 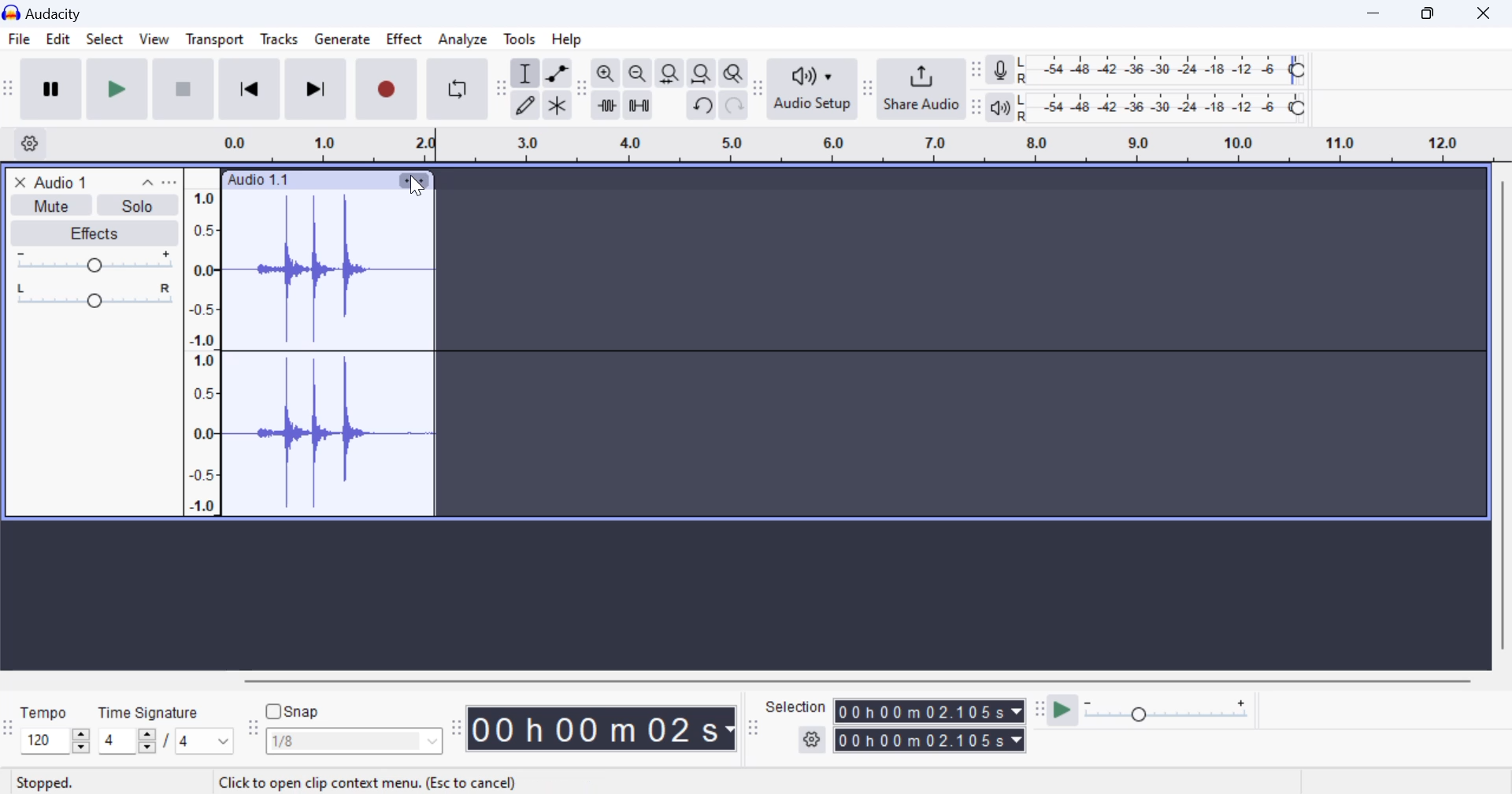 What do you see at coordinates (45, 711) in the screenshot?
I see `Tempo ` at bounding box center [45, 711].